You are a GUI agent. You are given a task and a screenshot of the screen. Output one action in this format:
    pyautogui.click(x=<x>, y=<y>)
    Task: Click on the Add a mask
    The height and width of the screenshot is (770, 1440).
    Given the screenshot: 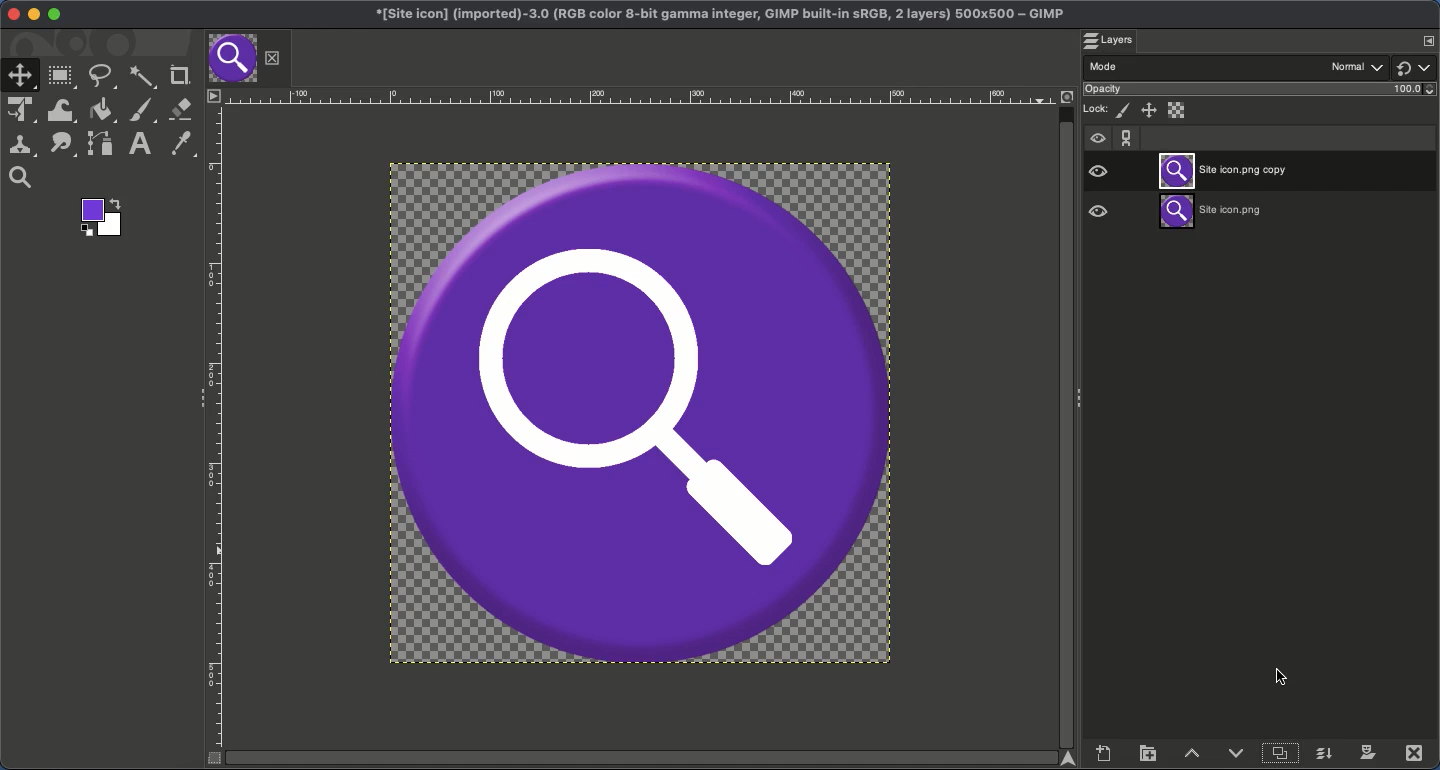 What is the action you would take?
    pyautogui.click(x=1367, y=752)
    